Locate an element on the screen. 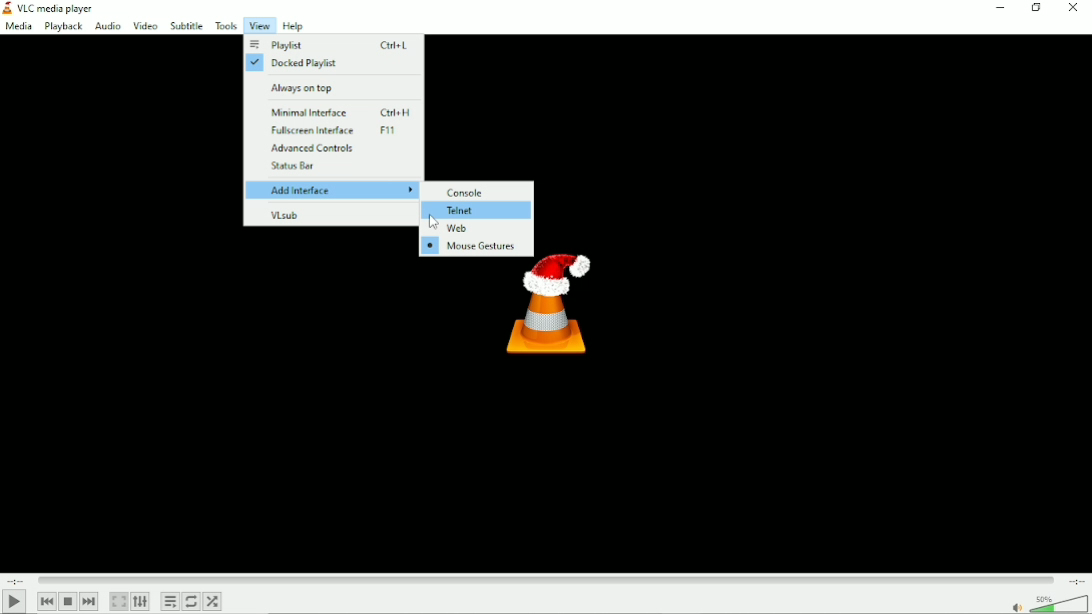 The height and width of the screenshot is (614, 1092). Next is located at coordinates (89, 601).